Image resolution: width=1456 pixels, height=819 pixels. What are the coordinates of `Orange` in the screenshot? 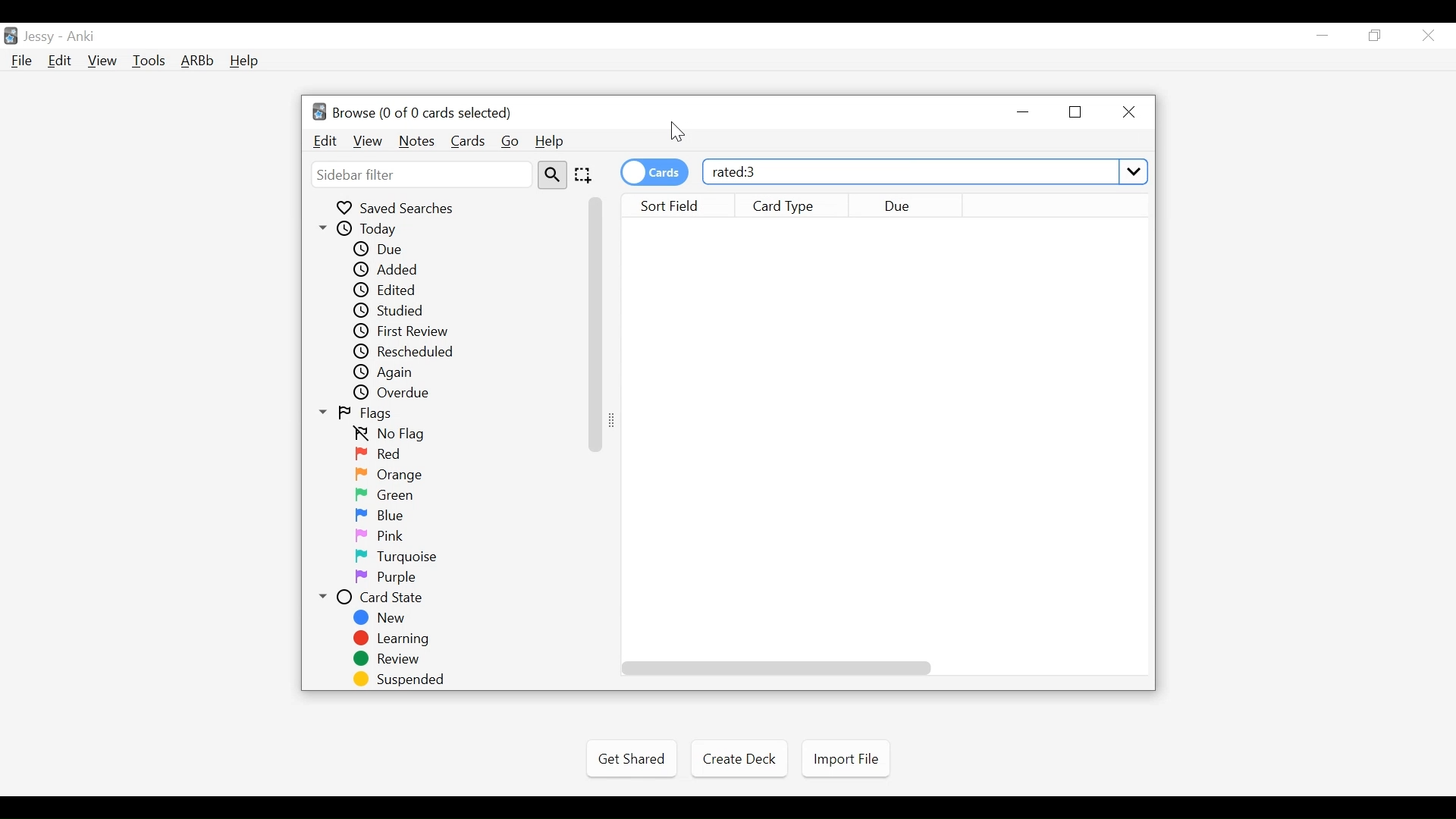 It's located at (388, 475).